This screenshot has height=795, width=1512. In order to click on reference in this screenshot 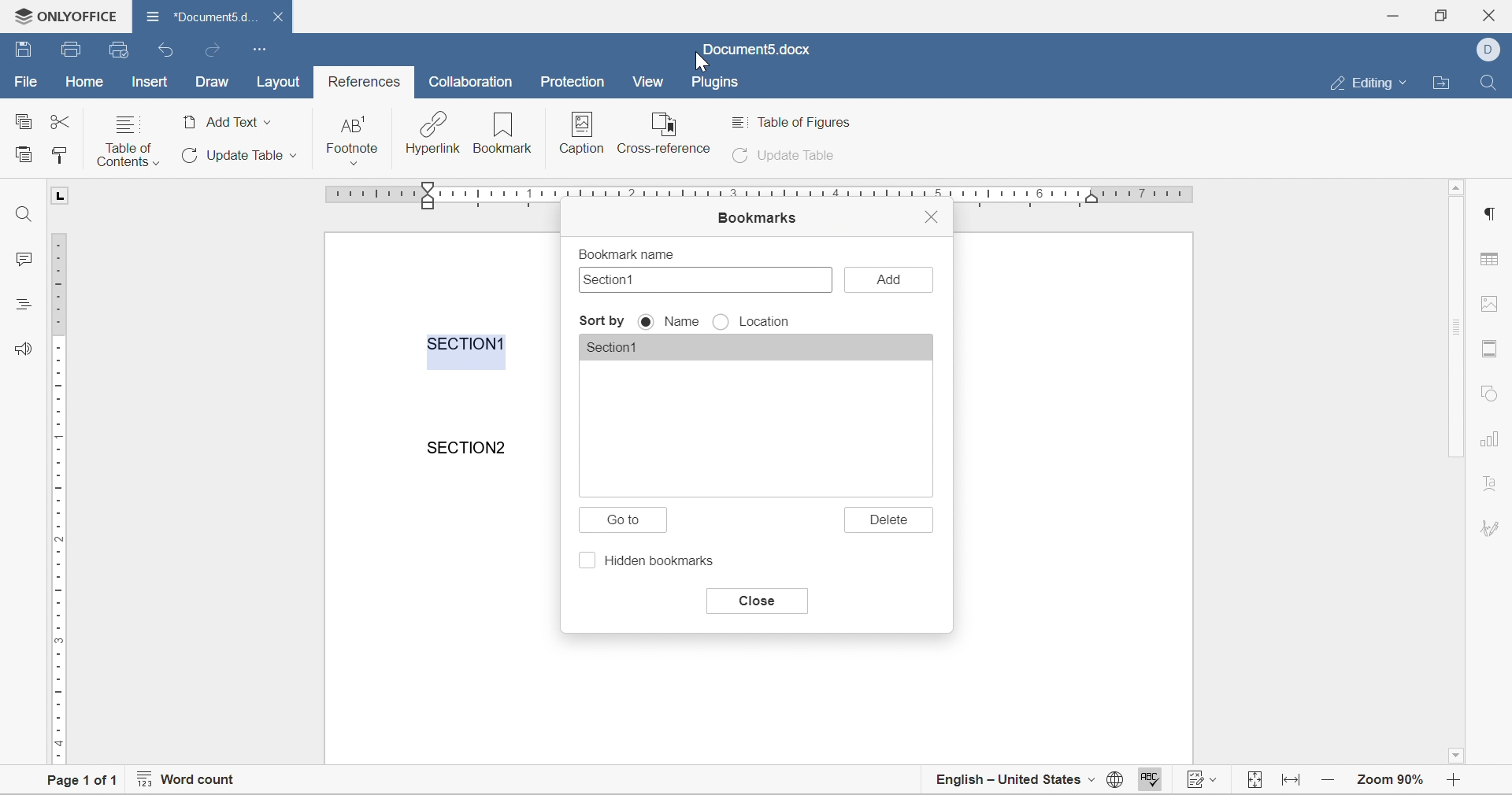, I will do `click(665, 131)`.